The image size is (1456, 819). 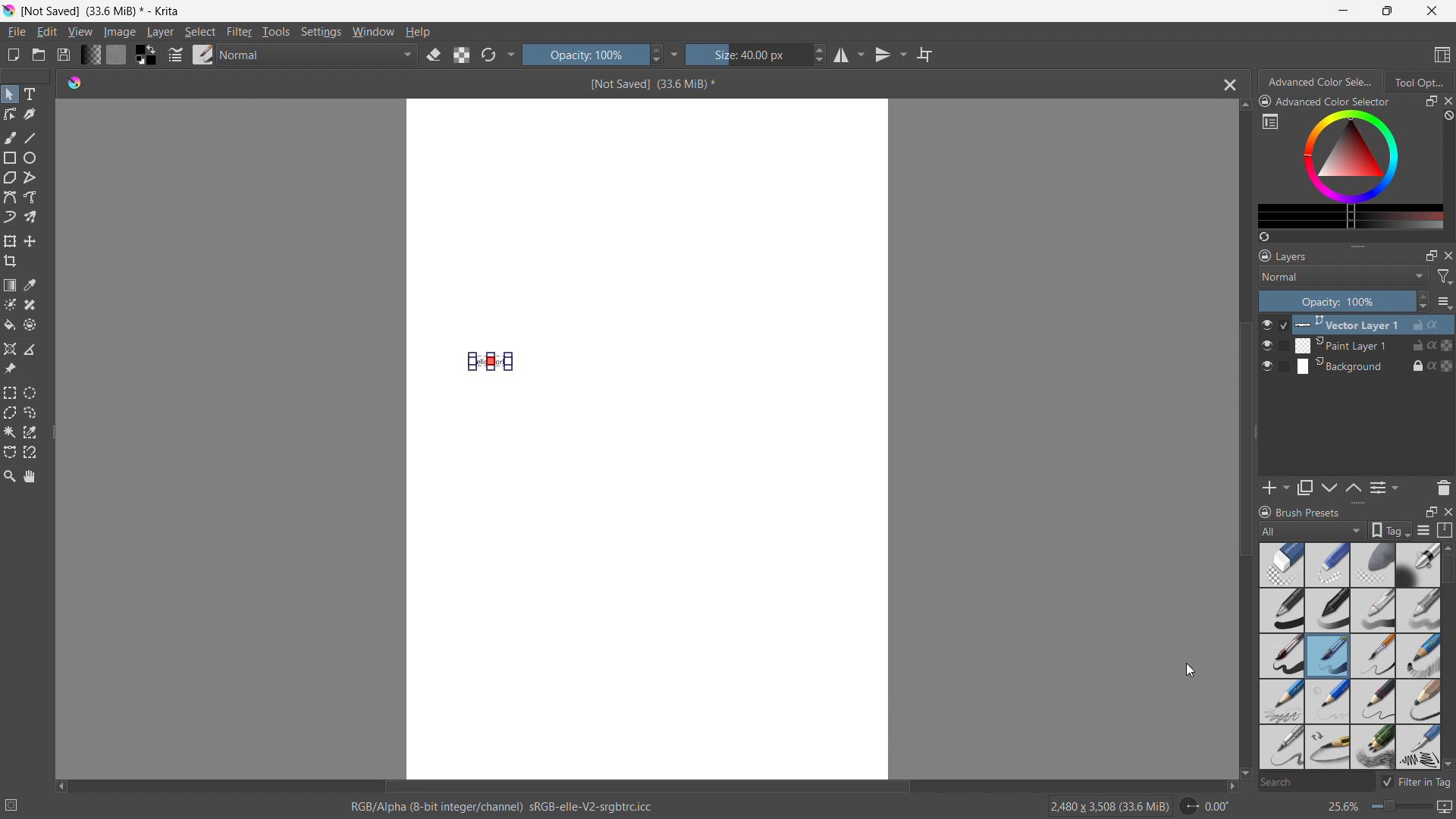 What do you see at coordinates (1430, 102) in the screenshot?
I see `maximize` at bounding box center [1430, 102].